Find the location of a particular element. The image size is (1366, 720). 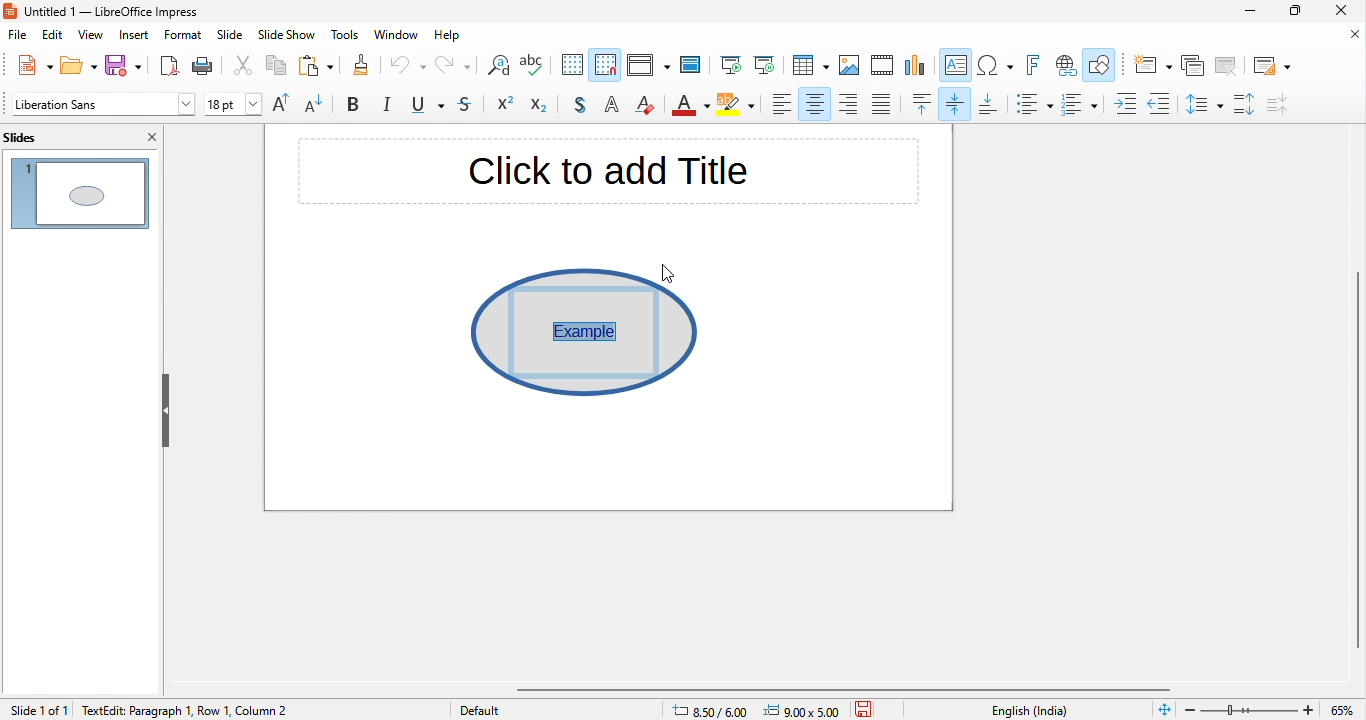

maximize is located at coordinates (1293, 13).